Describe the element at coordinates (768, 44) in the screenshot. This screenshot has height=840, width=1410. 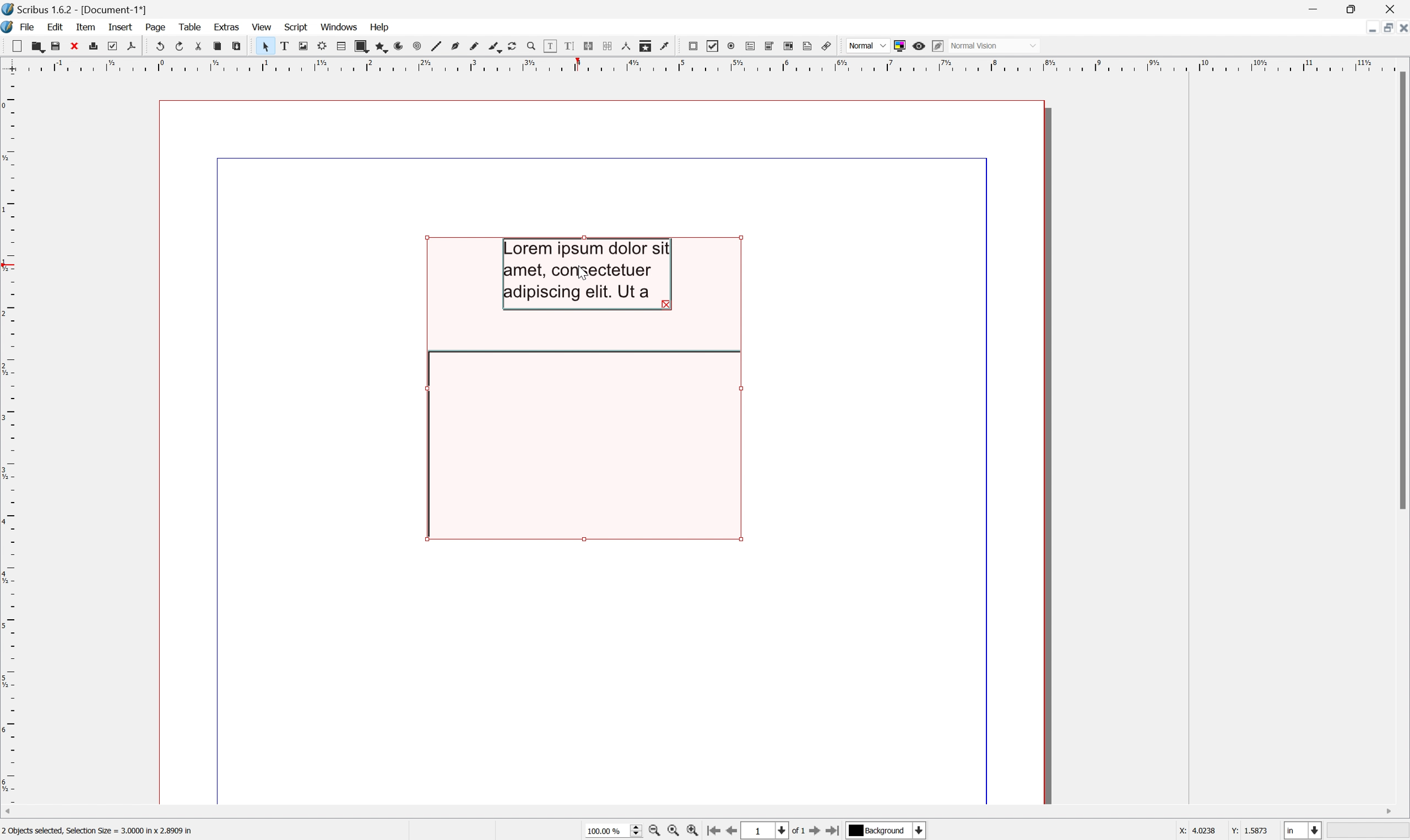
I see `PDF combo box` at that location.